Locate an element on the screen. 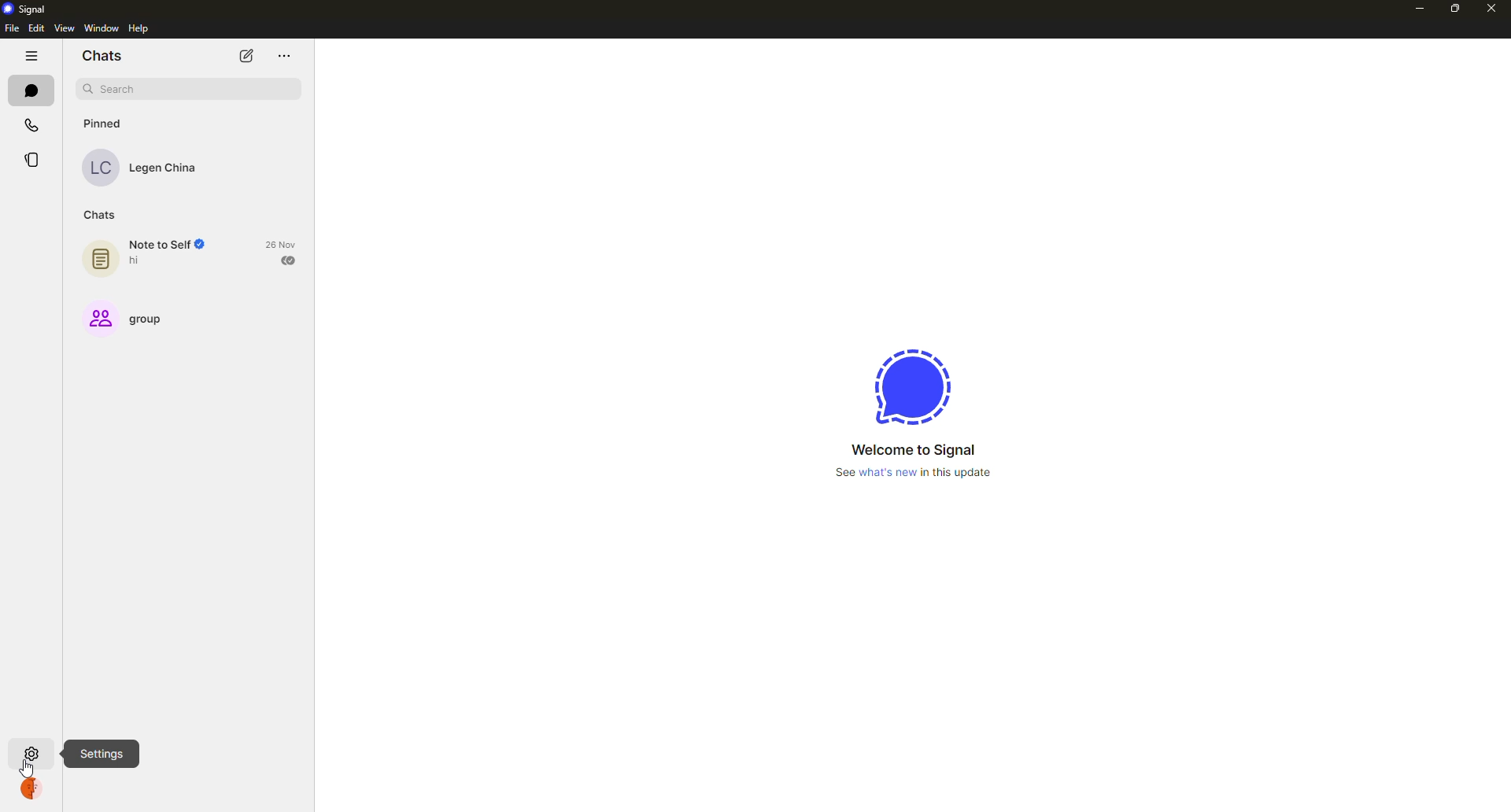 The height and width of the screenshot is (812, 1511). help is located at coordinates (139, 28).